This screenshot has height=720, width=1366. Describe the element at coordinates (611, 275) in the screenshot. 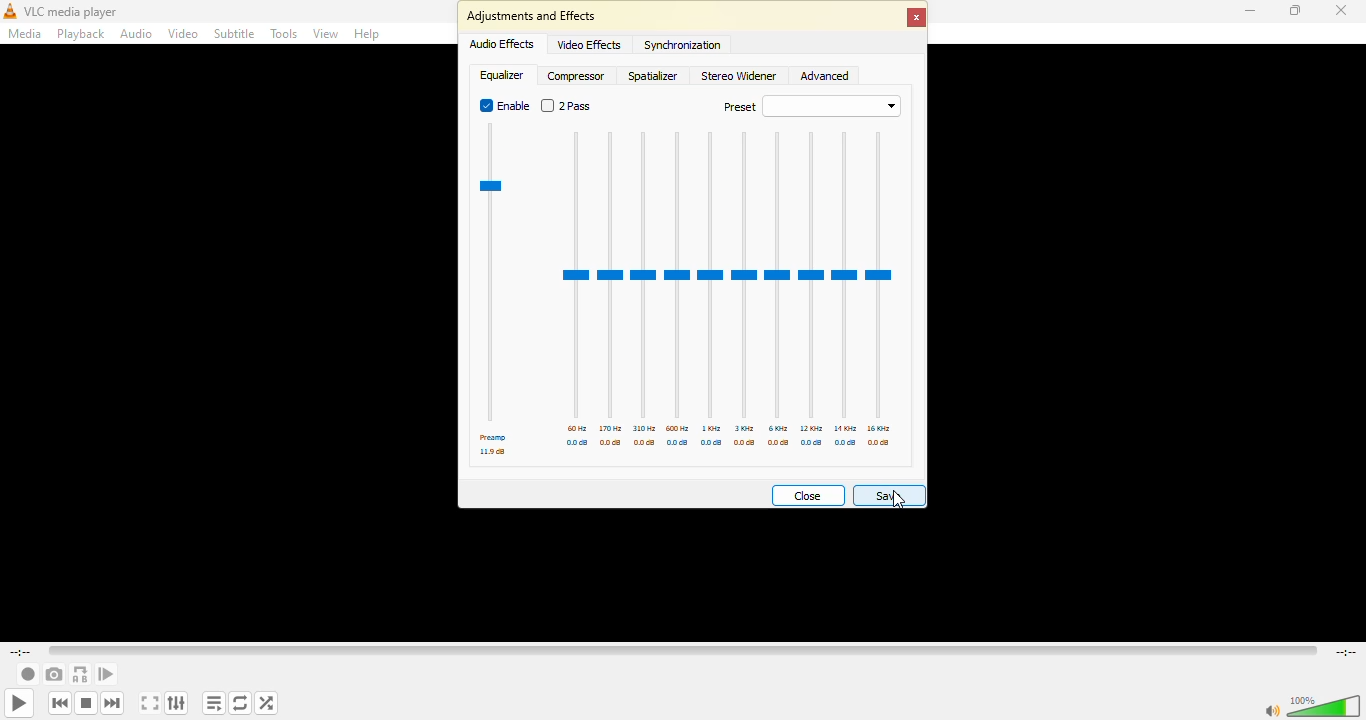

I see `adjustor` at that location.